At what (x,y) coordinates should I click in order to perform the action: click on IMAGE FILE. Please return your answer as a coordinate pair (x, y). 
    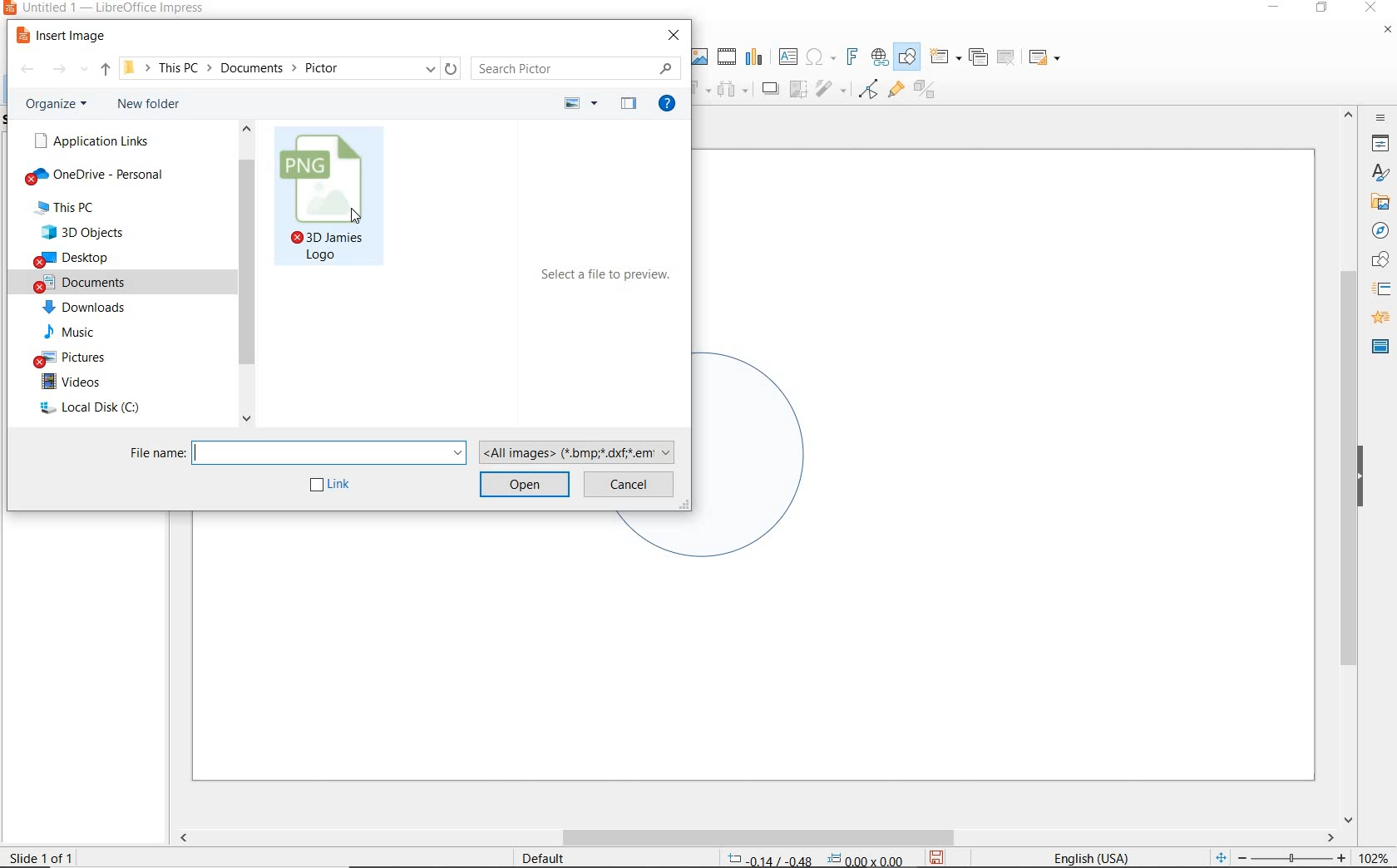
    Looking at the image, I should click on (331, 199).